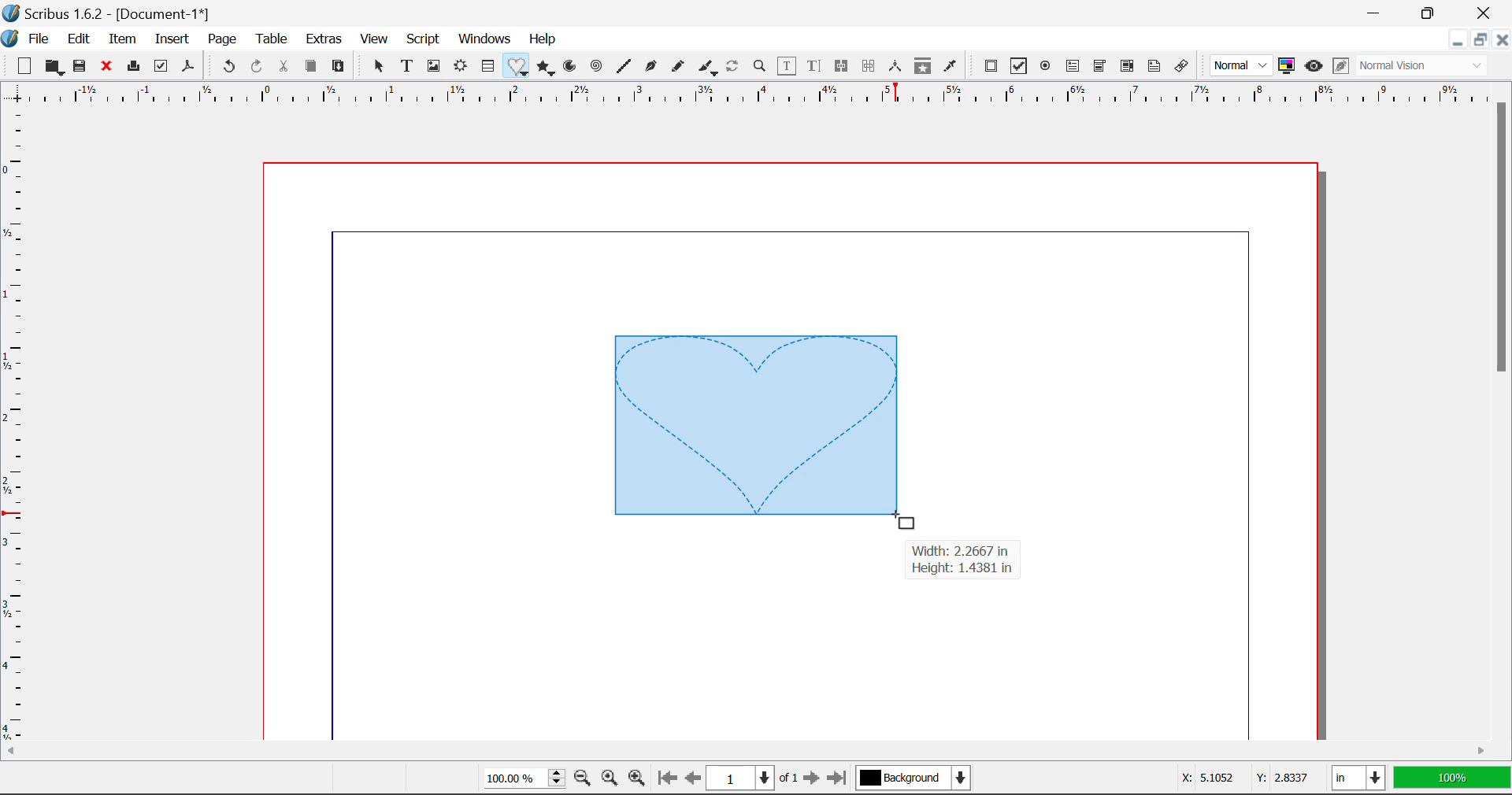 This screenshot has width=1512, height=795. What do you see at coordinates (1378, 12) in the screenshot?
I see `Restore Down` at bounding box center [1378, 12].